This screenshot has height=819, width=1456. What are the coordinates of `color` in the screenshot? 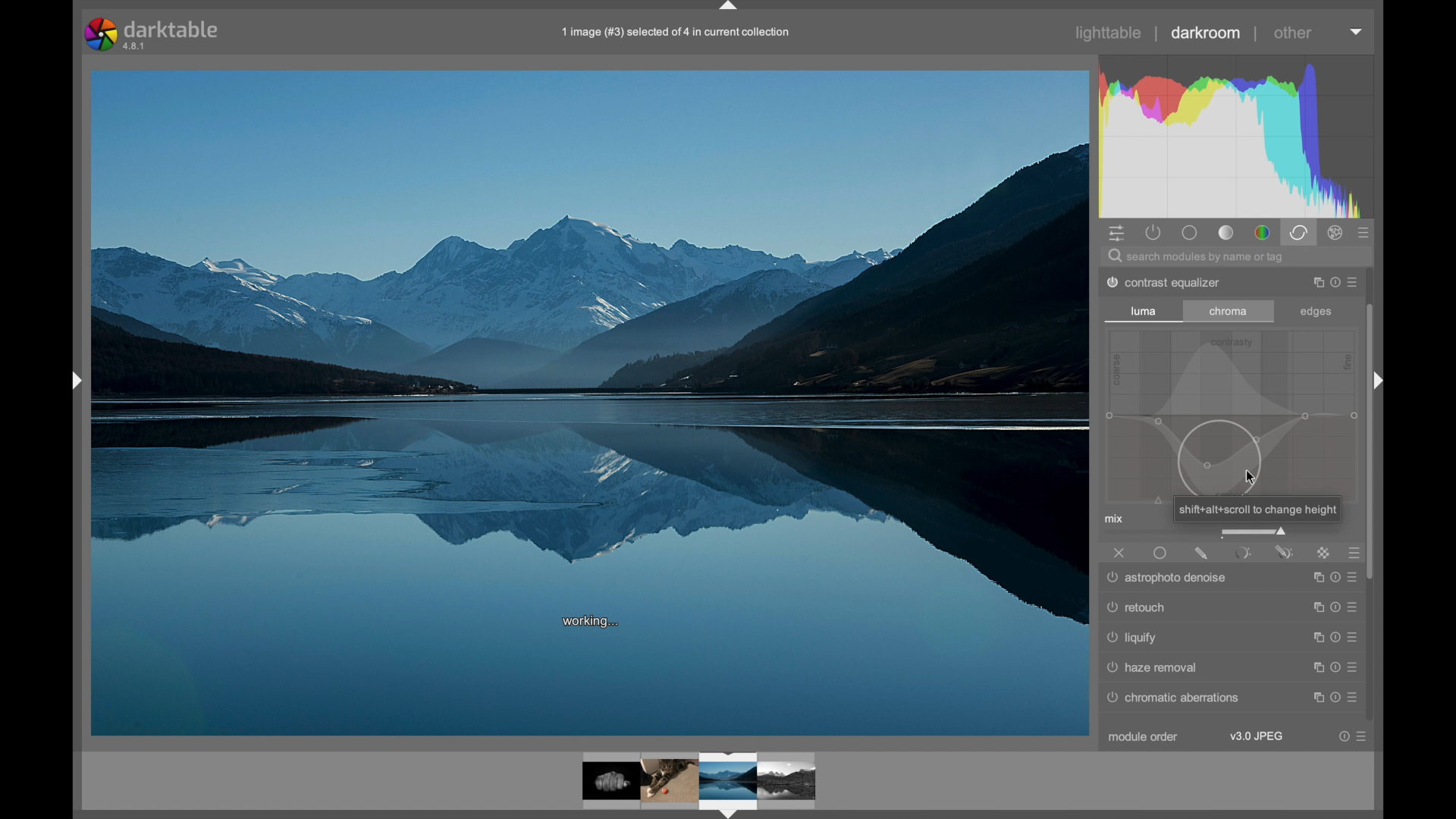 It's located at (1262, 232).